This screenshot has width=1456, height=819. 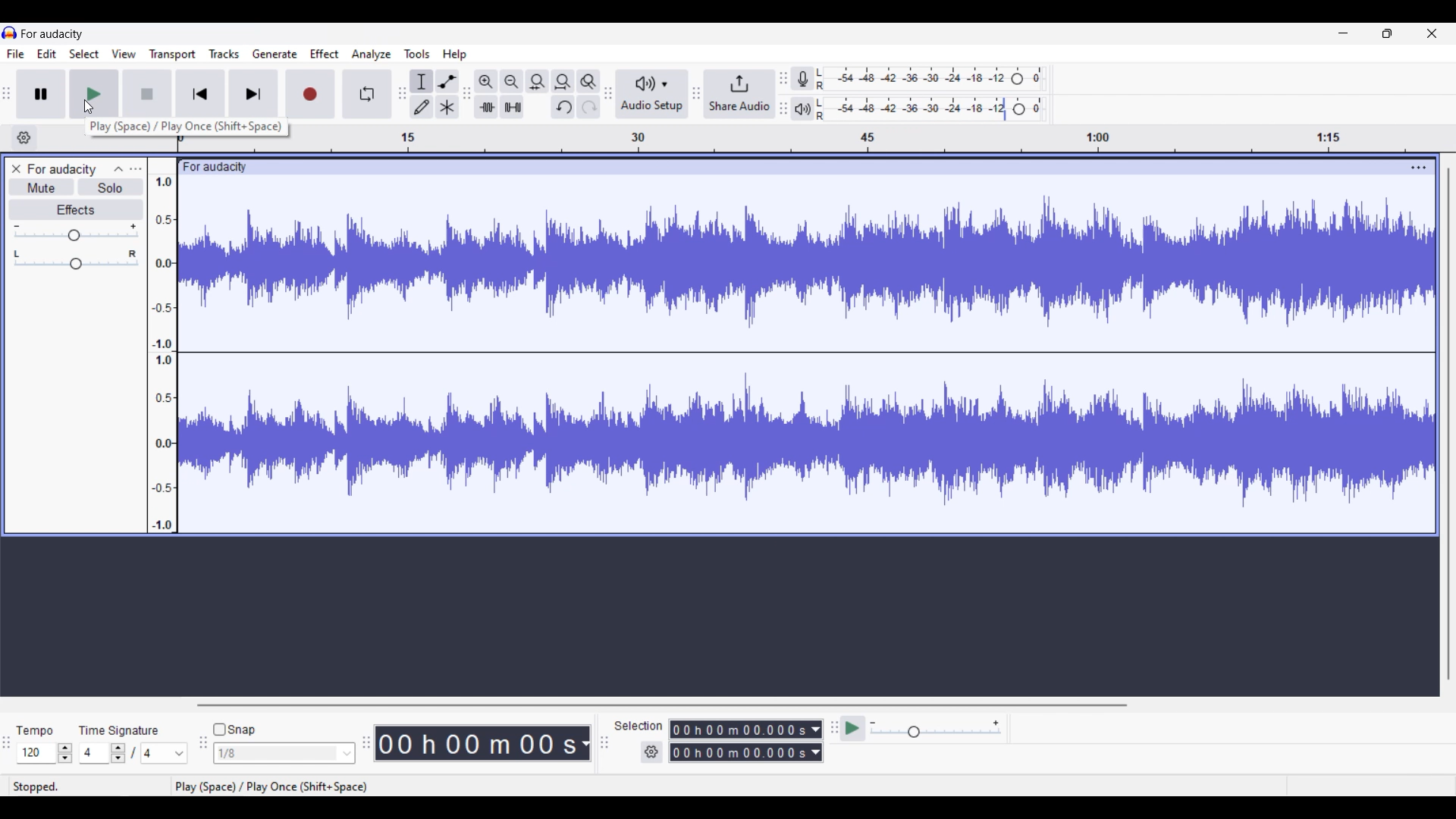 I want to click on Envelop tool, so click(x=447, y=81).